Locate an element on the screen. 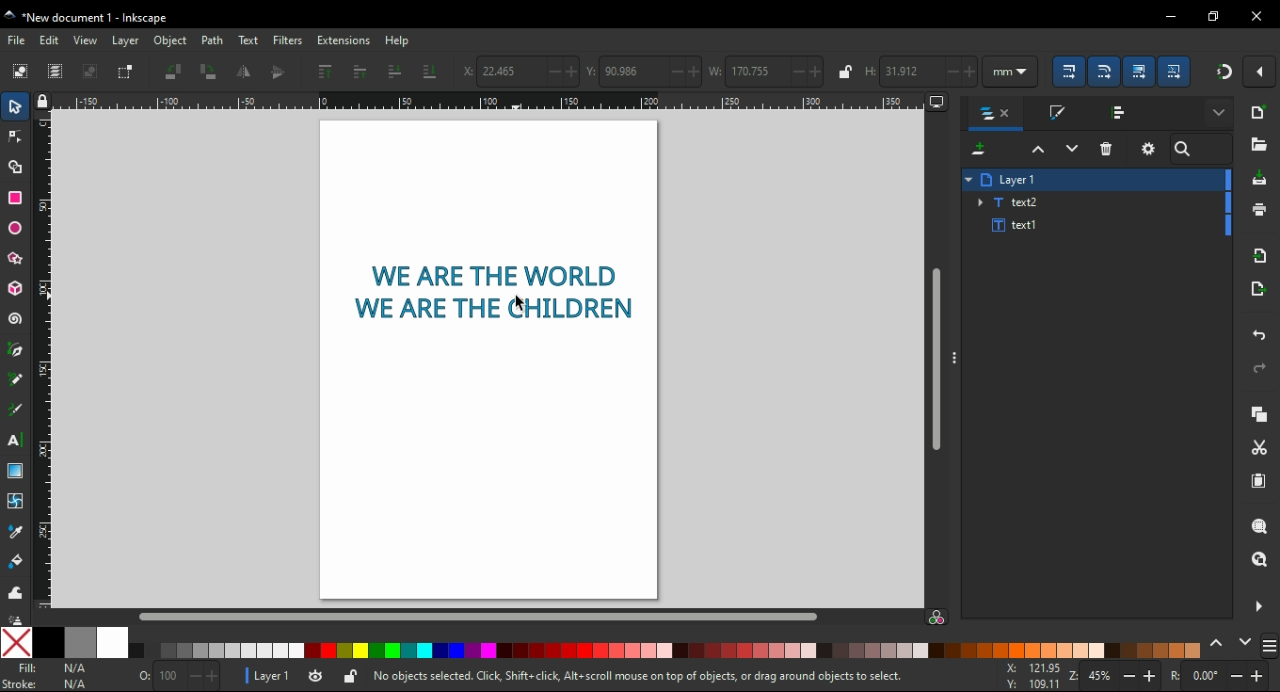 This screenshot has width=1280, height=692. copy is located at coordinates (1256, 413).